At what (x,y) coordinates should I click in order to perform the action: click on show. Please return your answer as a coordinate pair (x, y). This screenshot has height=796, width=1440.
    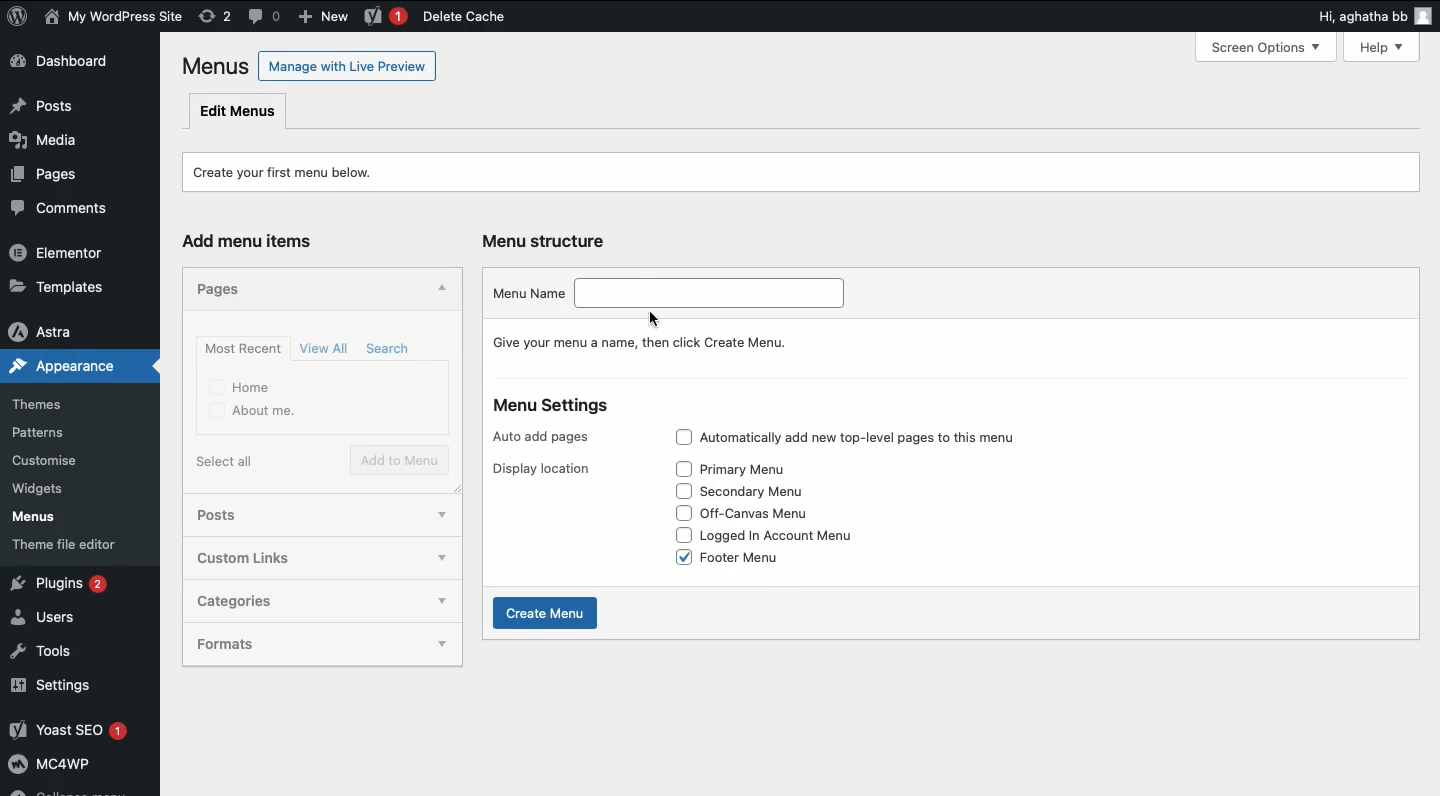
    Looking at the image, I should click on (431, 558).